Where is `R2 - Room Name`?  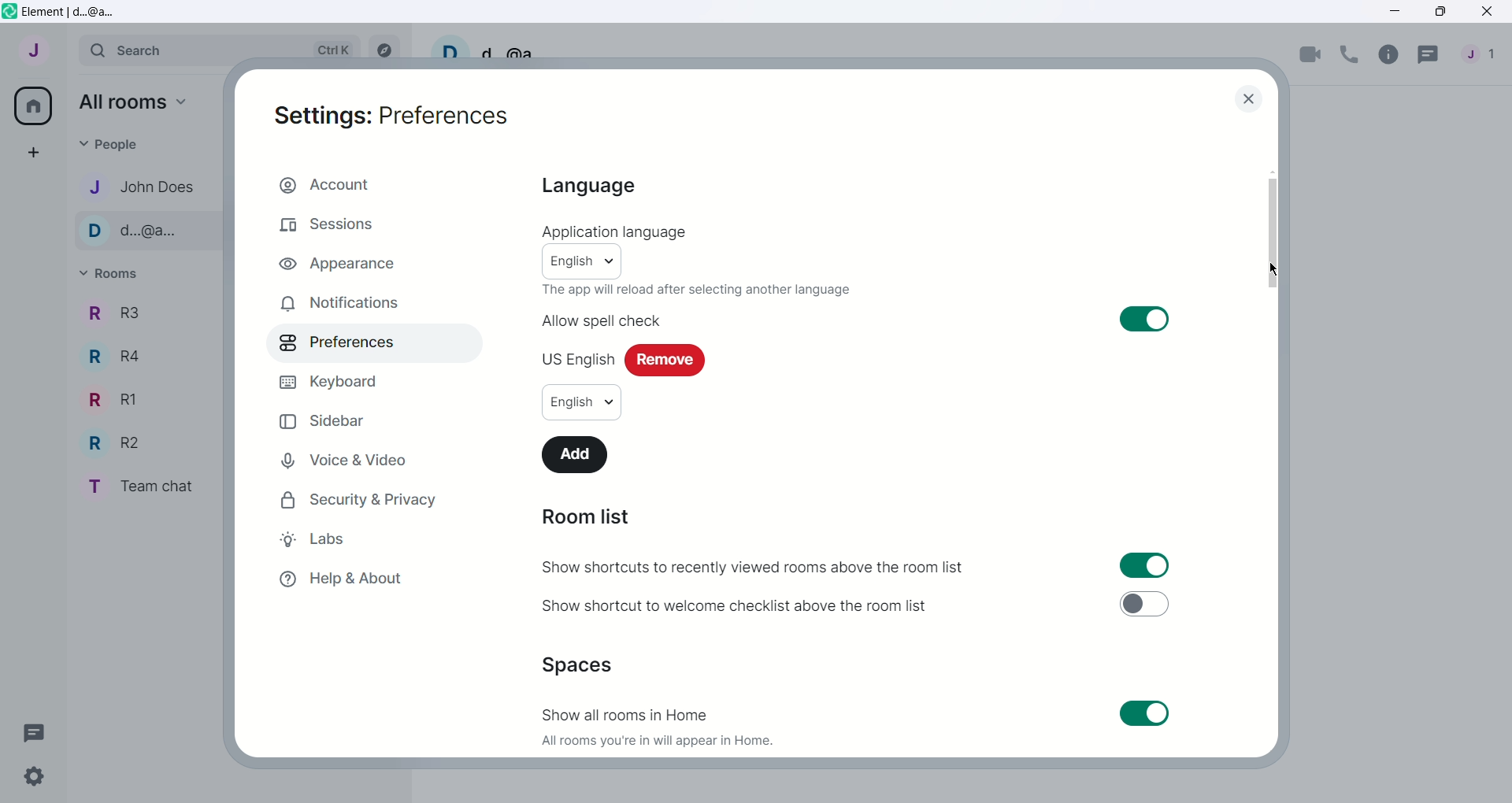
R2 - Room Name is located at coordinates (120, 442).